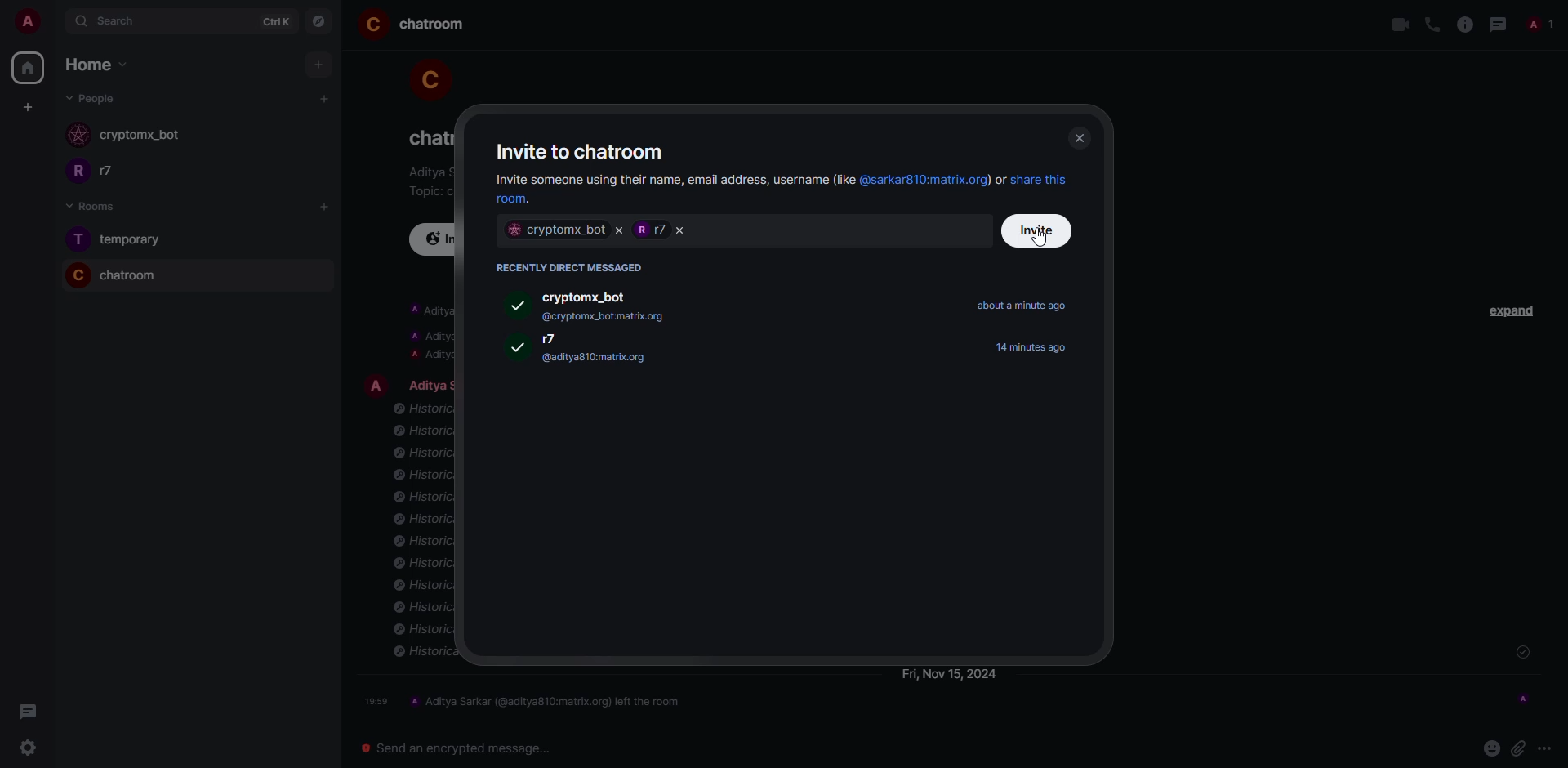  What do you see at coordinates (1463, 25) in the screenshot?
I see `info` at bounding box center [1463, 25].